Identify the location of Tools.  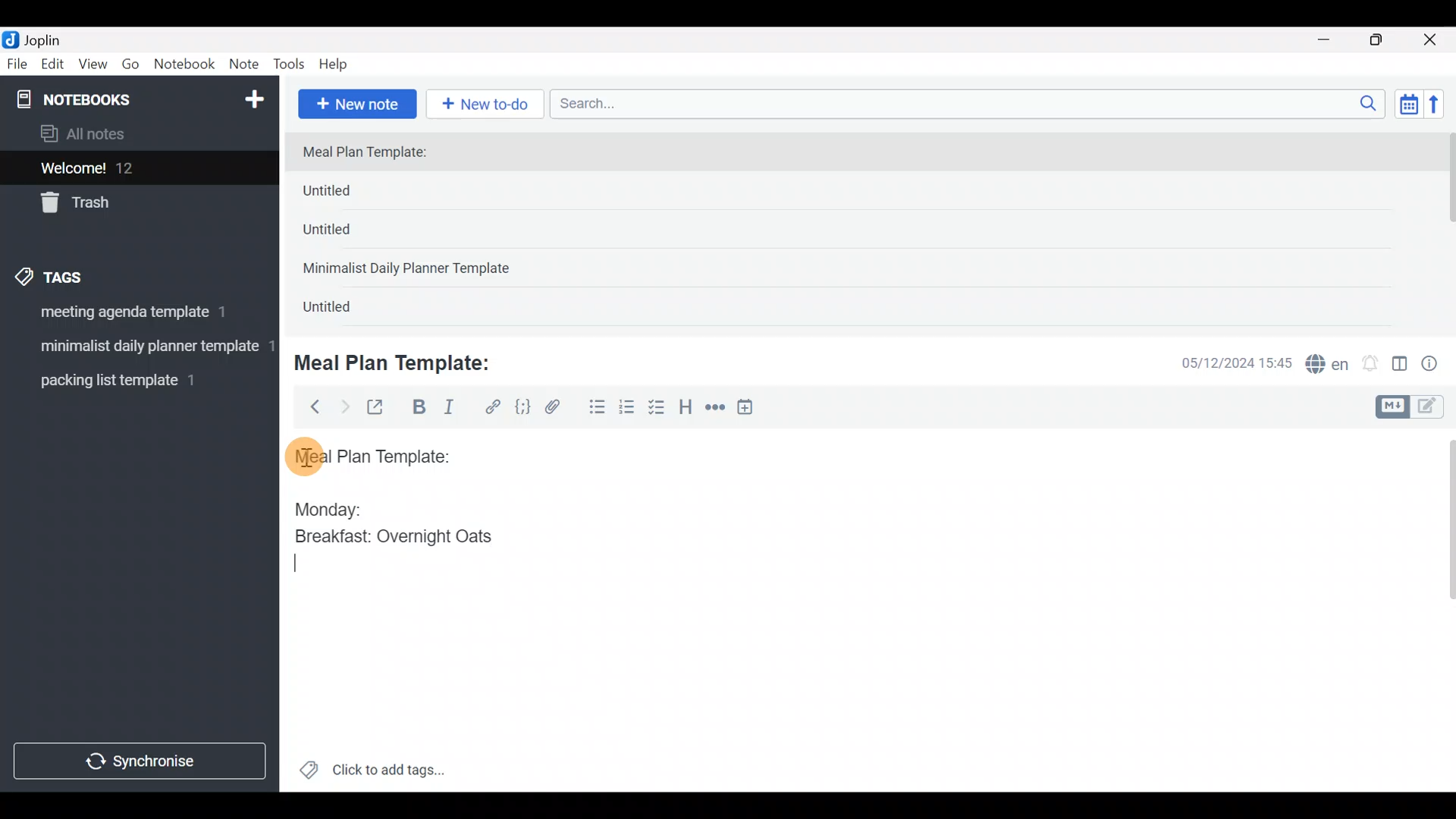
(290, 65).